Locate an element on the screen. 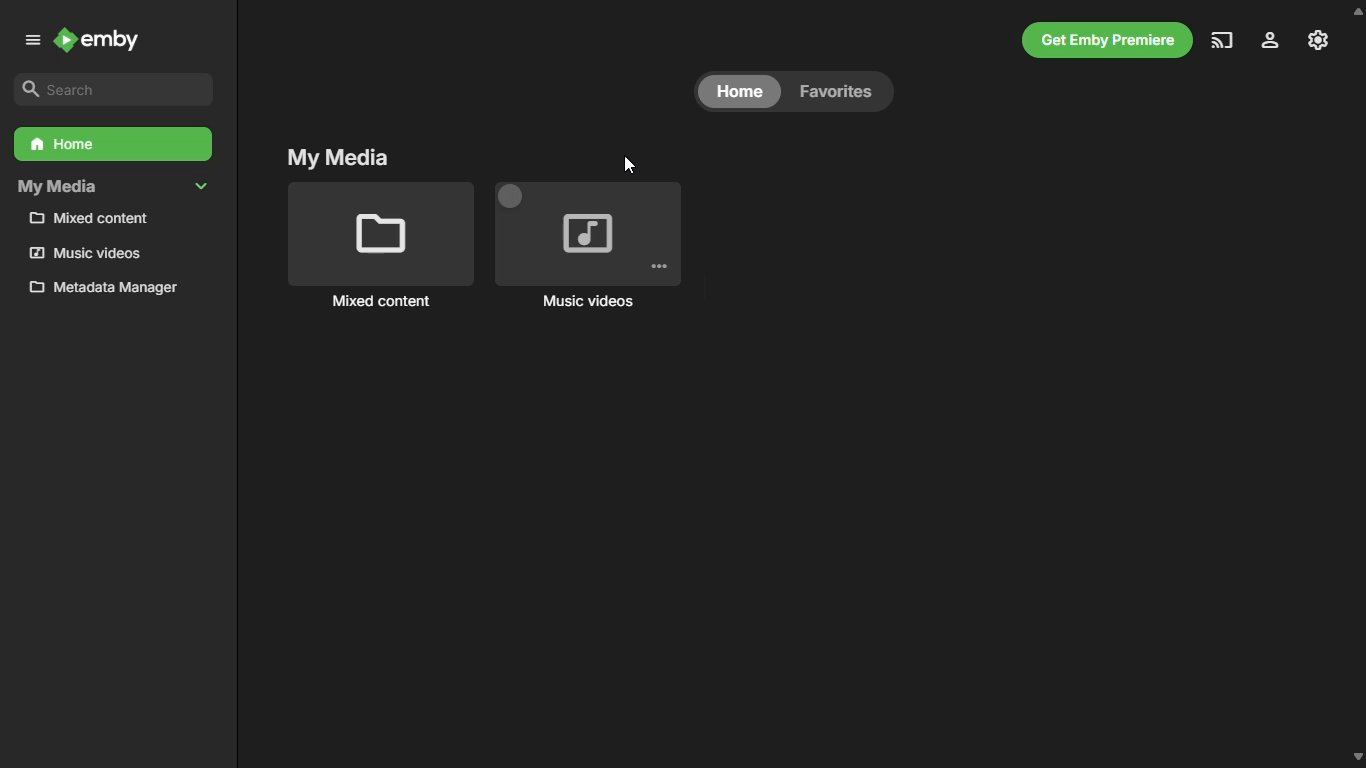 This screenshot has width=1366, height=768. settings is located at coordinates (1271, 39).